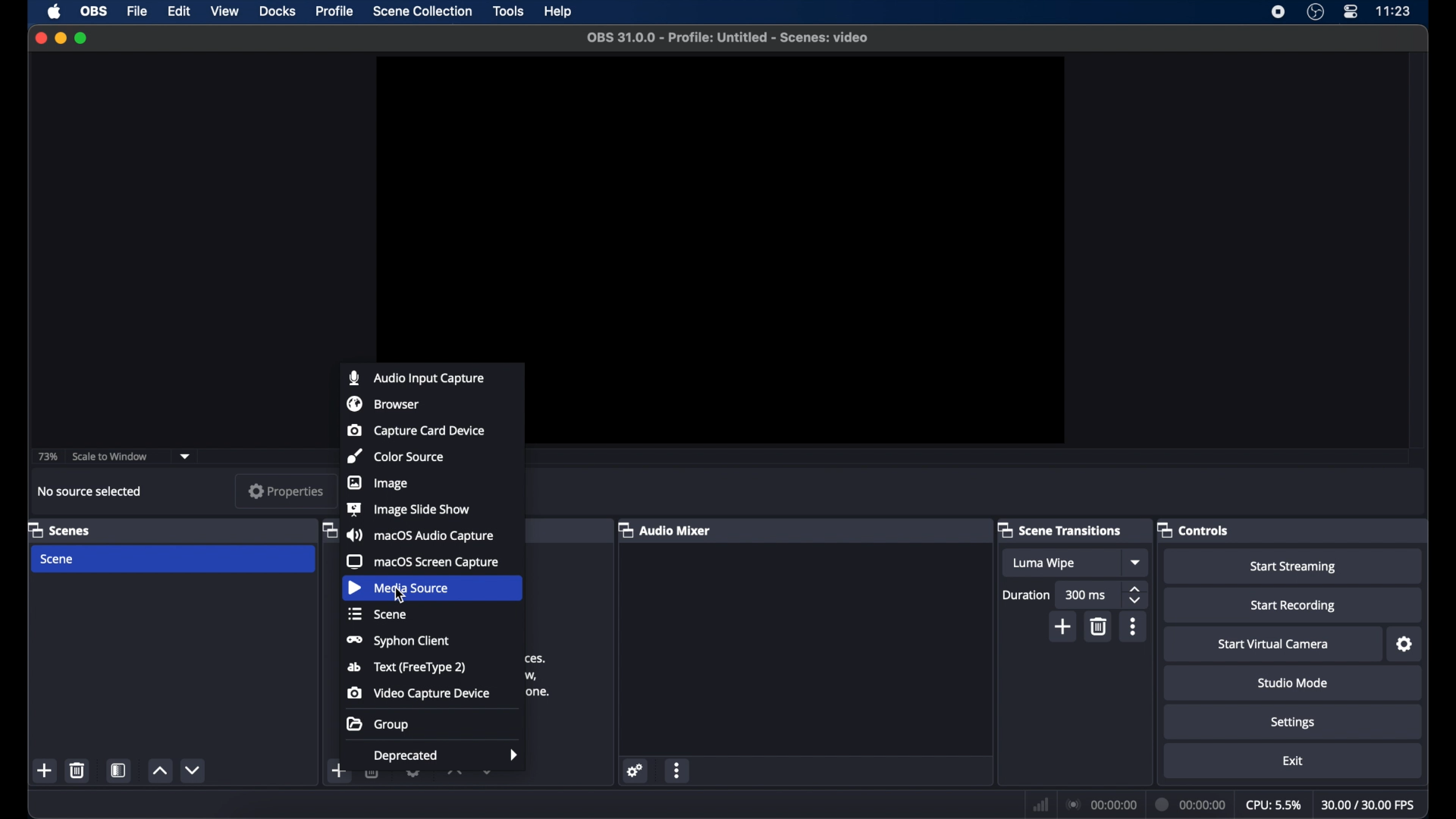 This screenshot has height=819, width=1456. What do you see at coordinates (729, 38) in the screenshot?
I see `file name` at bounding box center [729, 38].